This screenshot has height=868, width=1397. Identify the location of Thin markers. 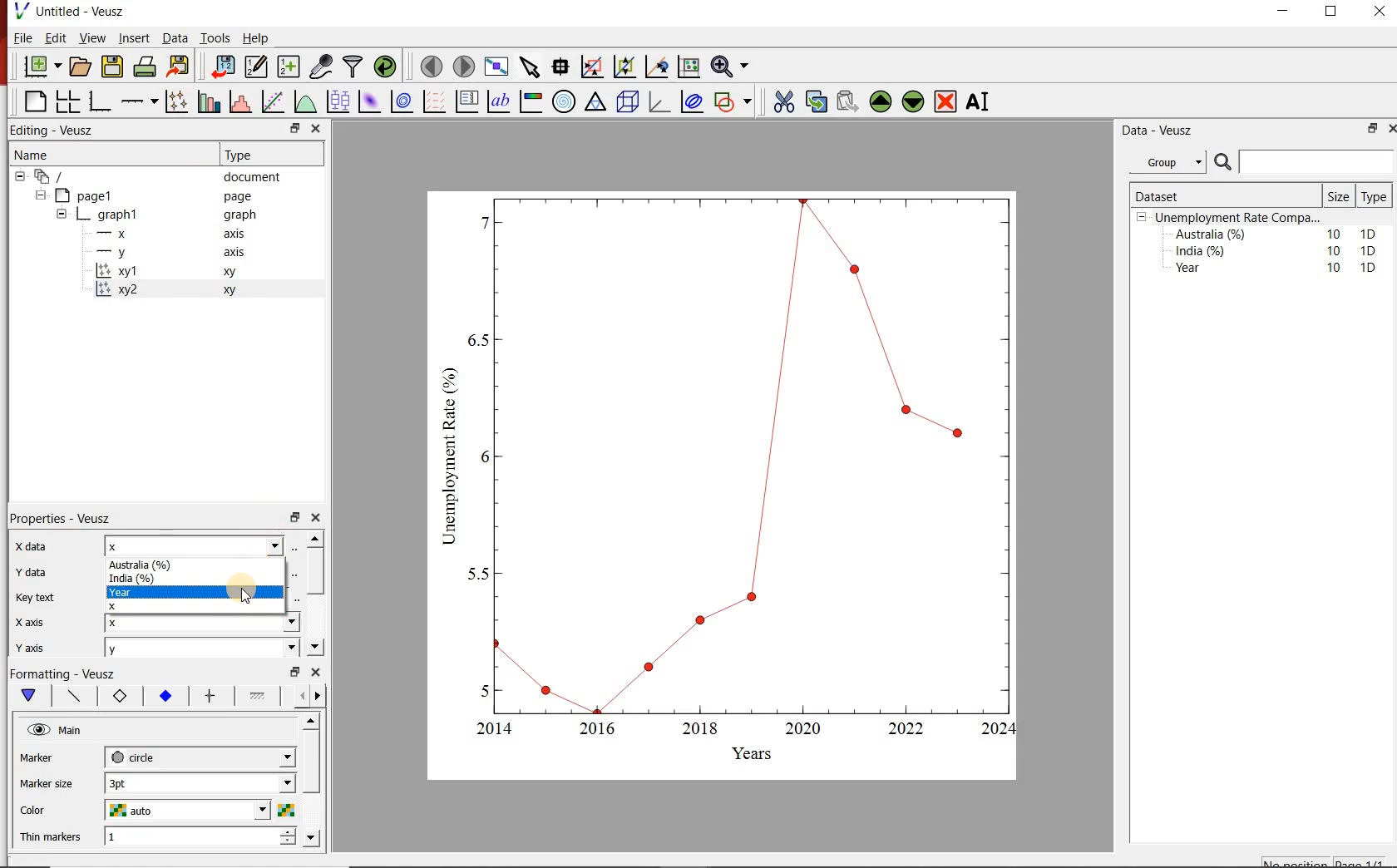
(52, 838).